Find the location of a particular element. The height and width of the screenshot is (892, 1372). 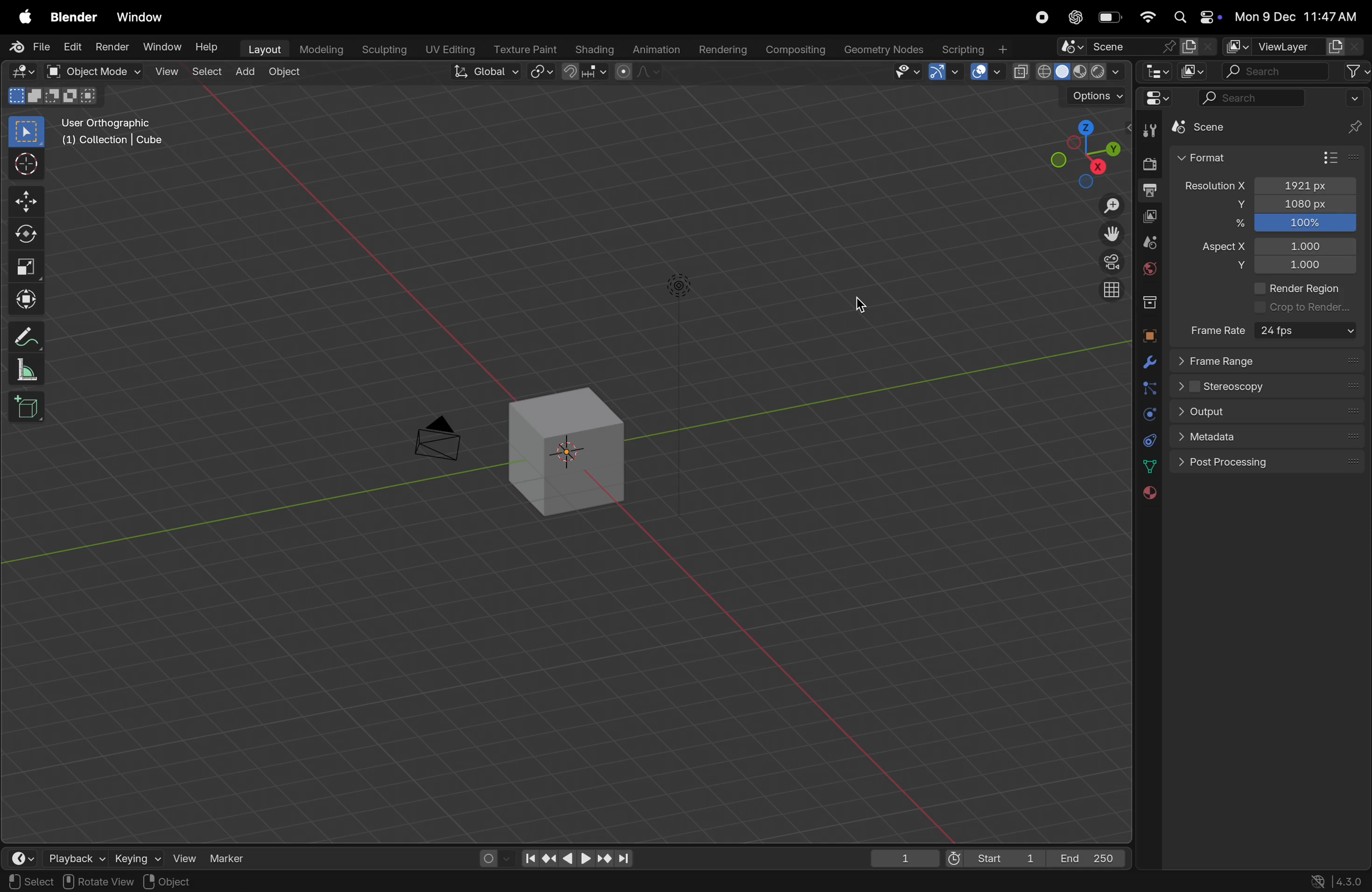

Animation is located at coordinates (656, 49).